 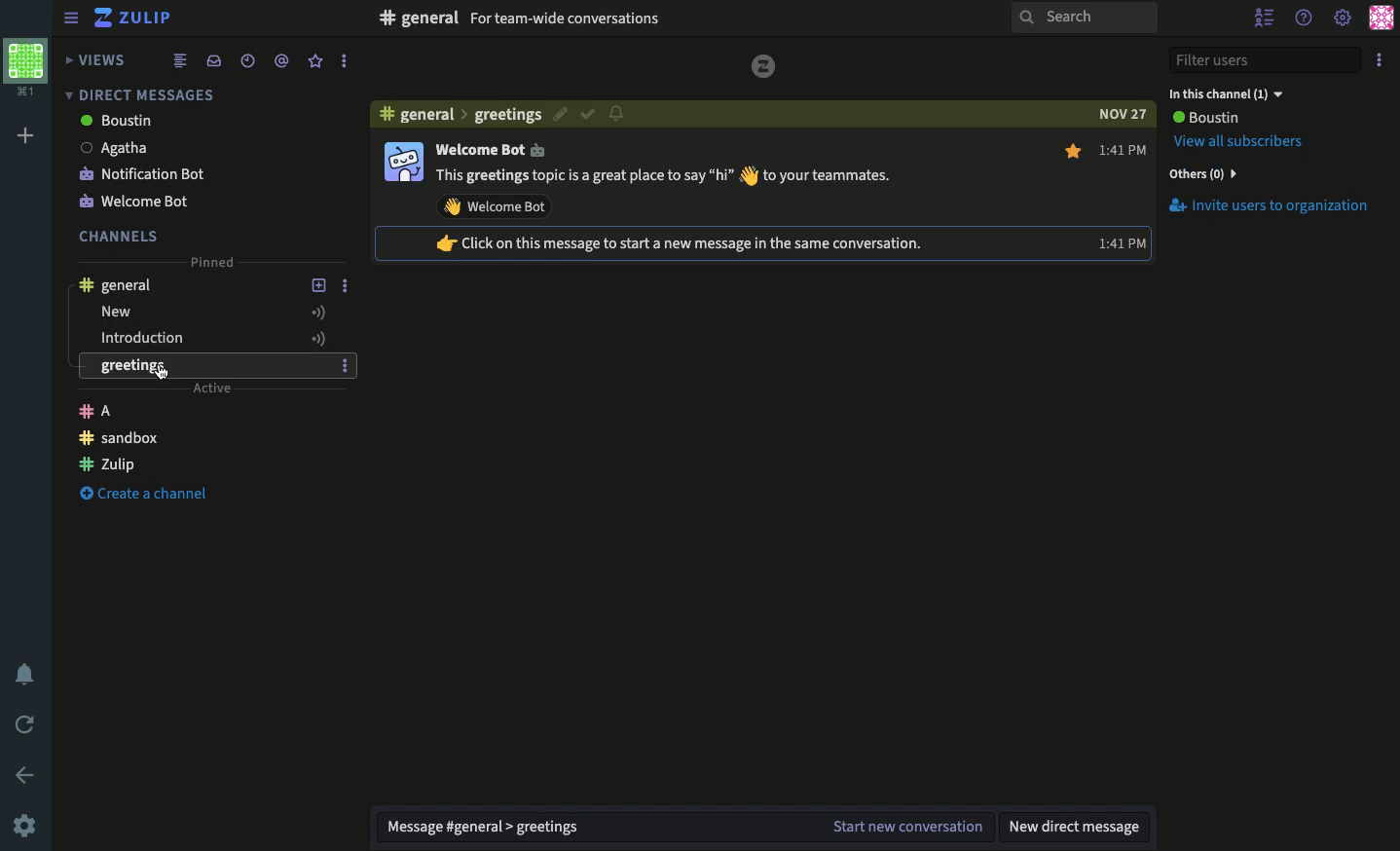 What do you see at coordinates (185, 147) in the screenshot?
I see `Agatha` at bounding box center [185, 147].